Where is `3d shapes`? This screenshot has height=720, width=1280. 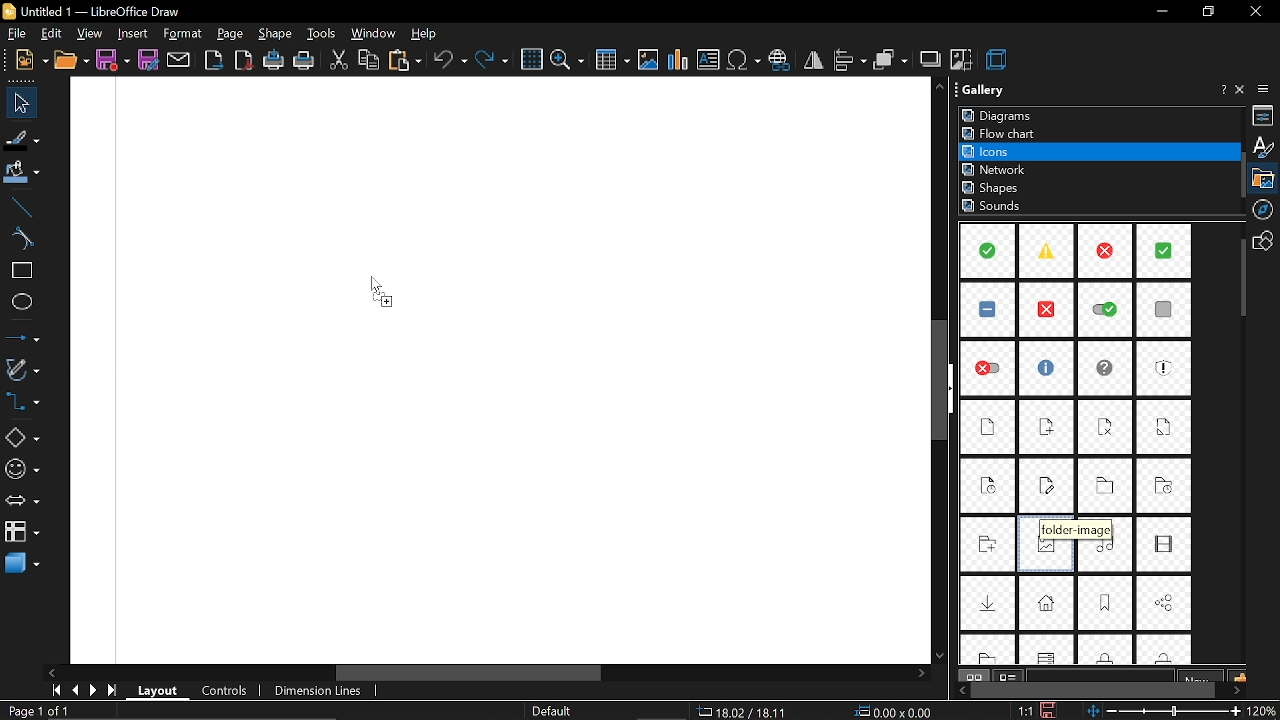 3d shapes is located at coordinates (19, 564).